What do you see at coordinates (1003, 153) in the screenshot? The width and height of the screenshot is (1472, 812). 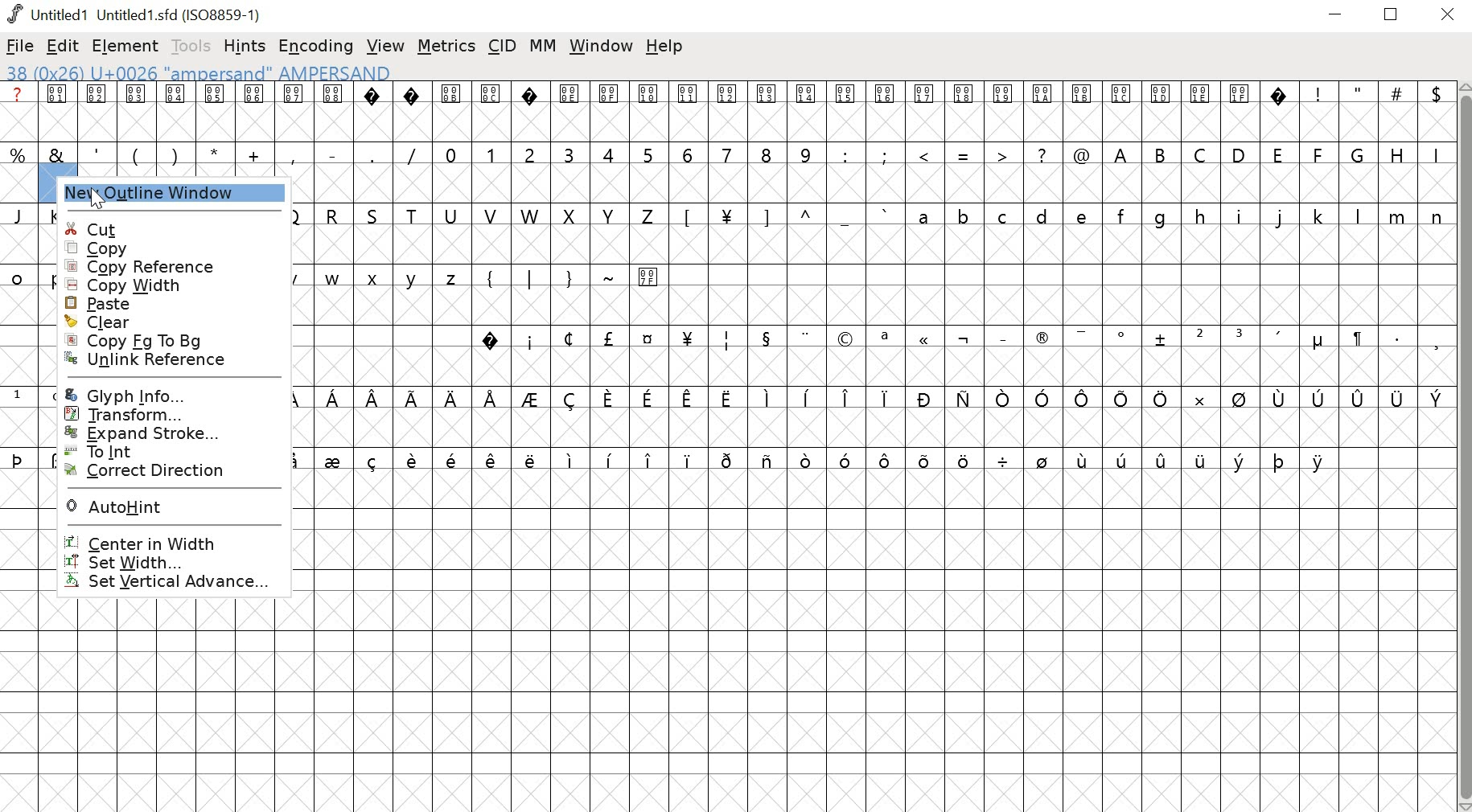 I see `>` at bounding box center [1003, 153].